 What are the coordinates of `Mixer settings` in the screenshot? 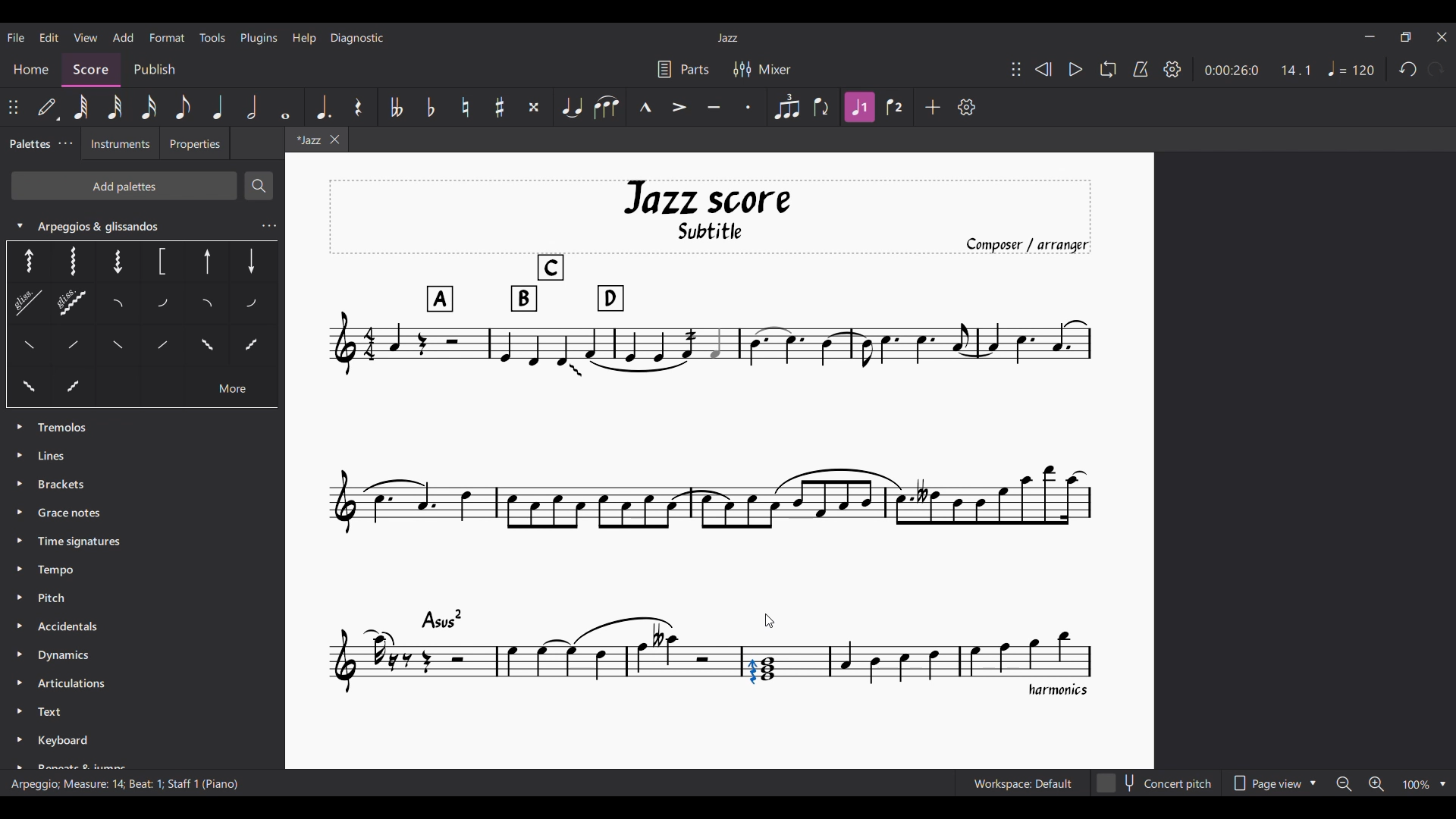 It's located at (762, 69).